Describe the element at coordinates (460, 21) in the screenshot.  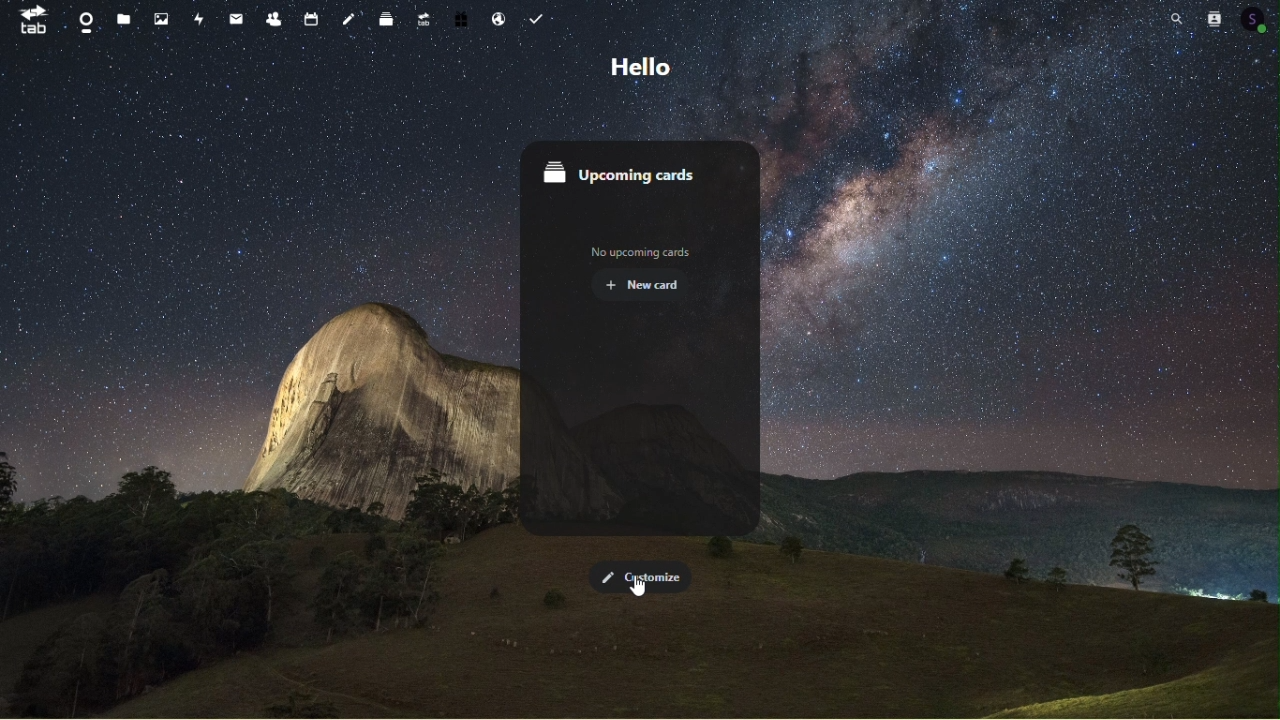
I see `Free trial` at that location.